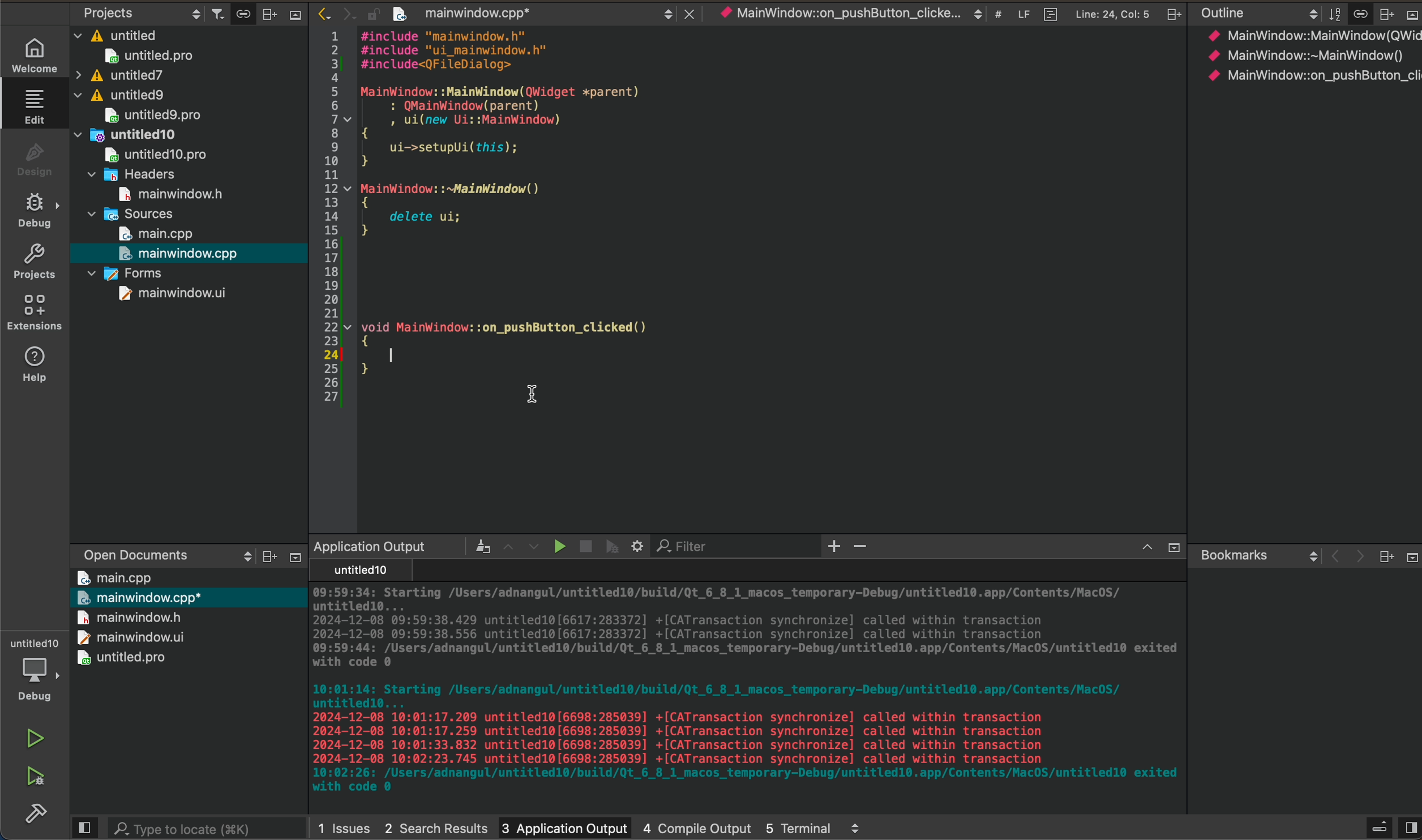  What do you see at coordinates (864, 548) in the screenshot?
I see `zoom out` at bounding box center [864, 548].